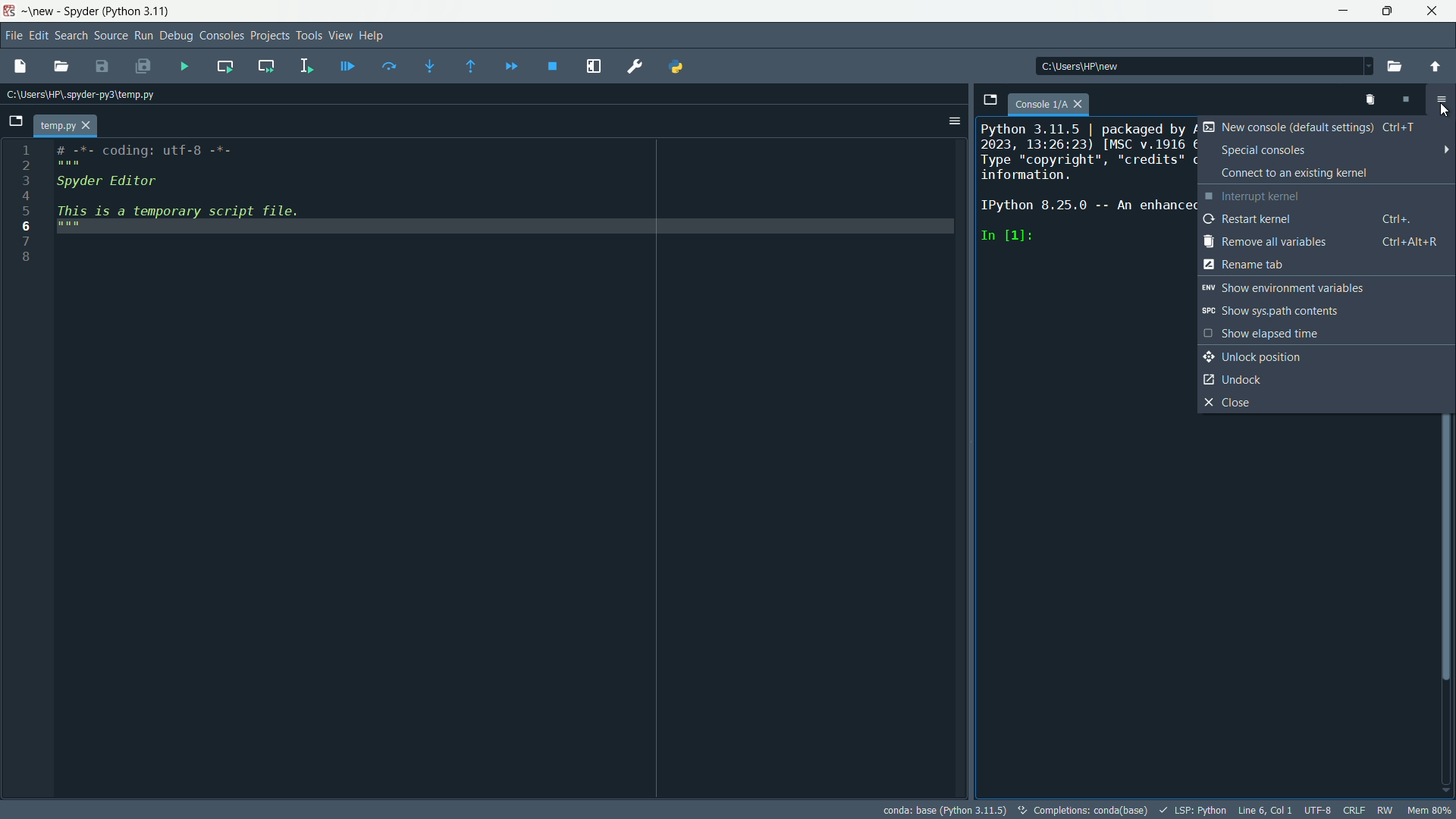  Describe the element at coordinates (1277, 333) in the screenshot. I see `Show elapsed time` at that location.